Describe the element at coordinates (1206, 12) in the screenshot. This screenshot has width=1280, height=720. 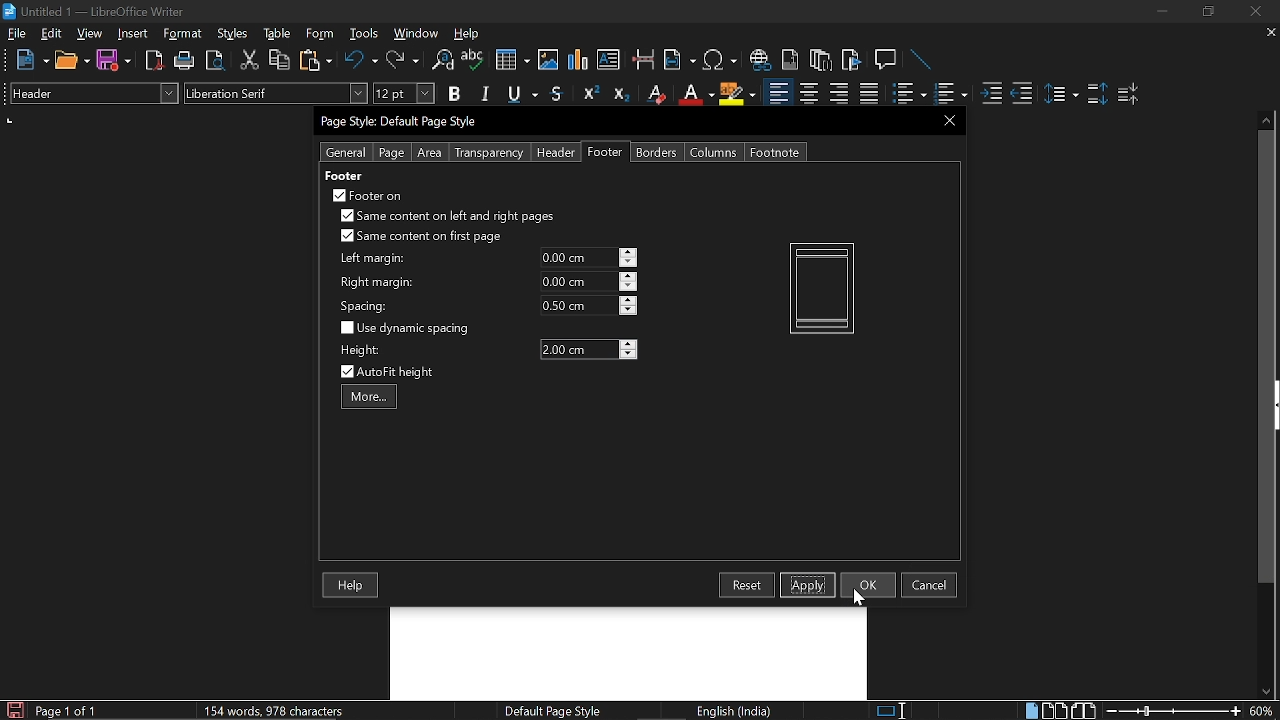
I see `Restore down` at that location.